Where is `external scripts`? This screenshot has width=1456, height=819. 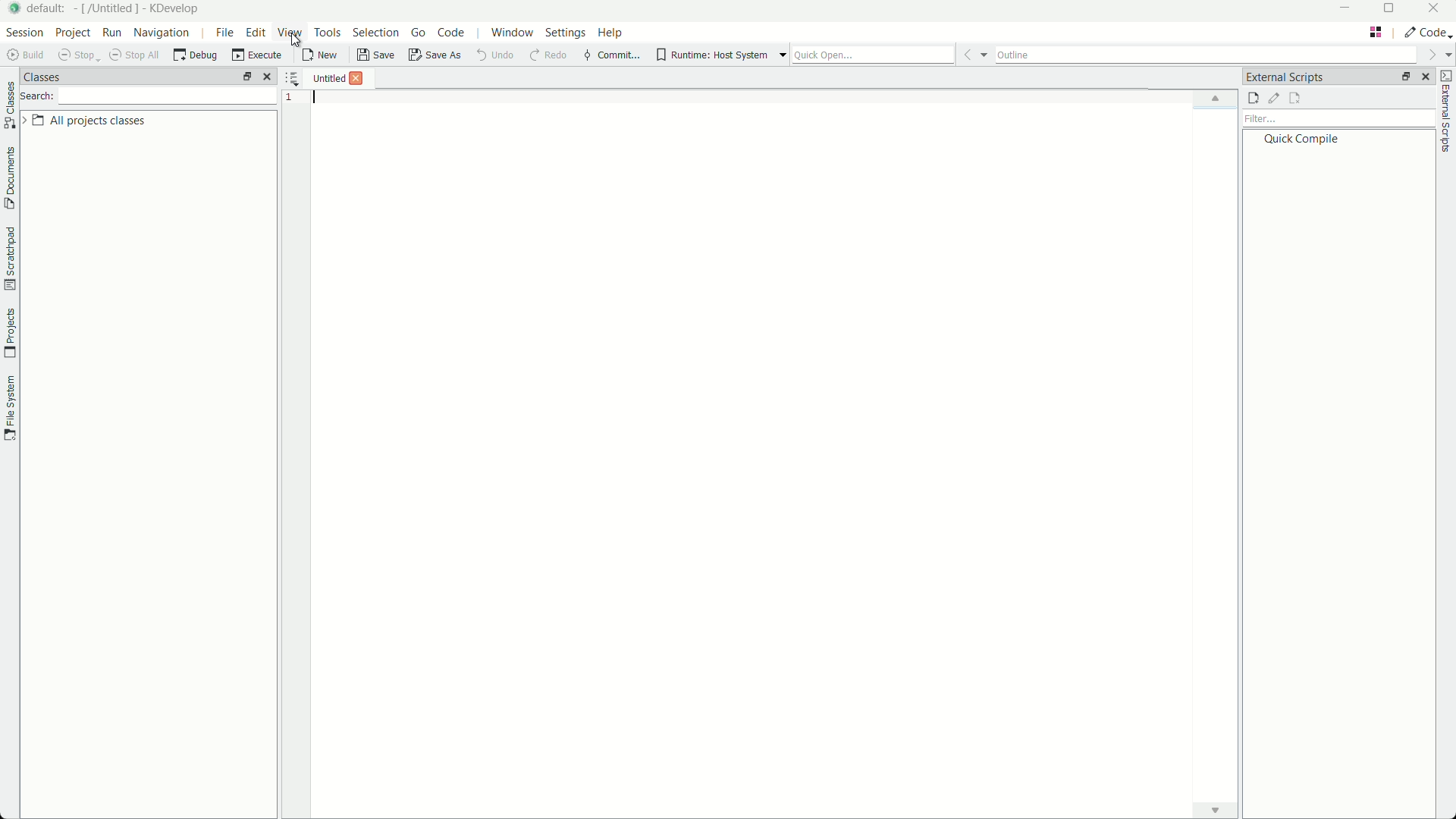
external scripts is located at coordinates (1447, 114).